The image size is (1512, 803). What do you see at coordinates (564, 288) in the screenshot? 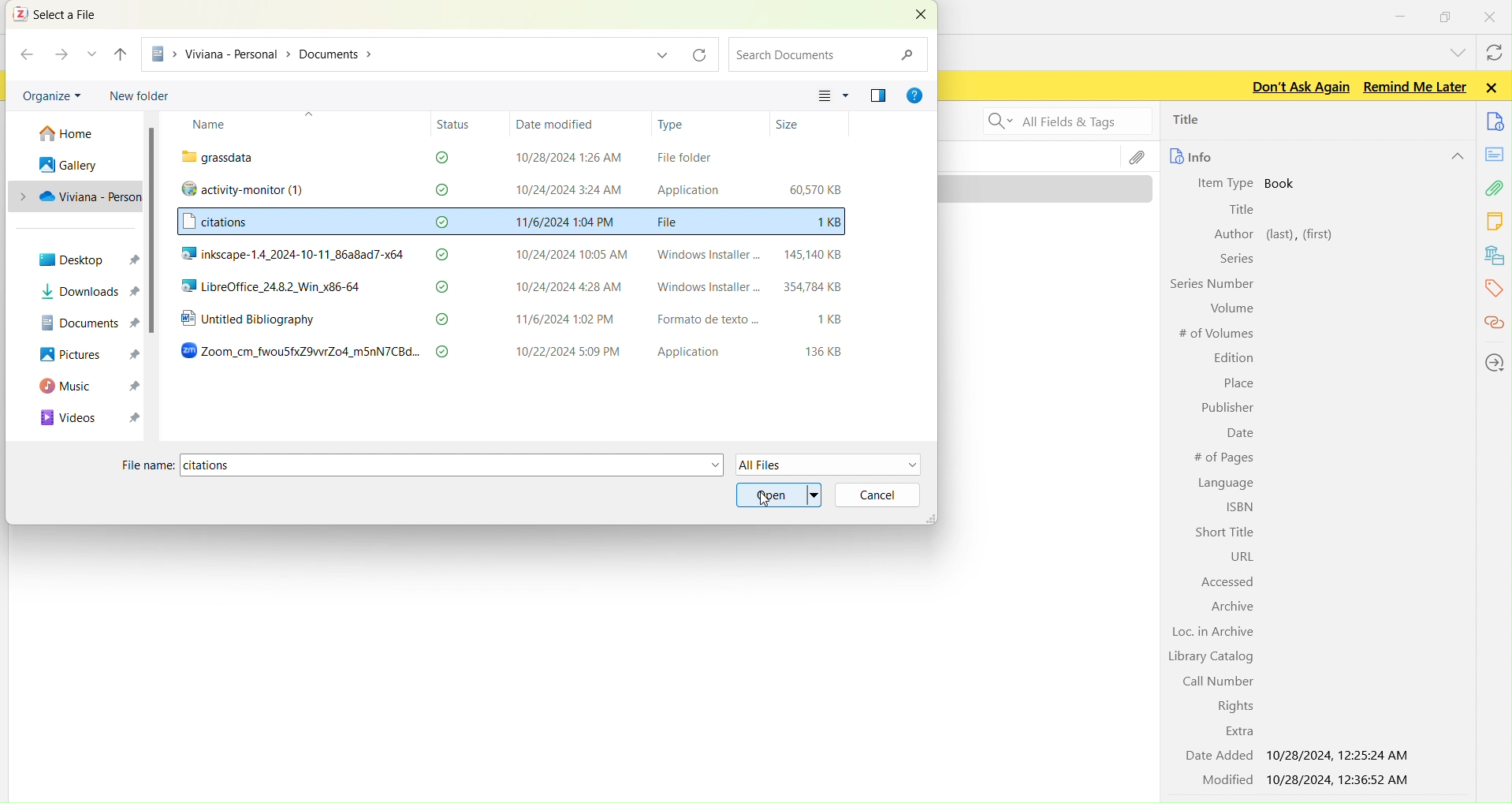
I see `10/24/2024 4:28 AM` at bounding box center [564, 288].